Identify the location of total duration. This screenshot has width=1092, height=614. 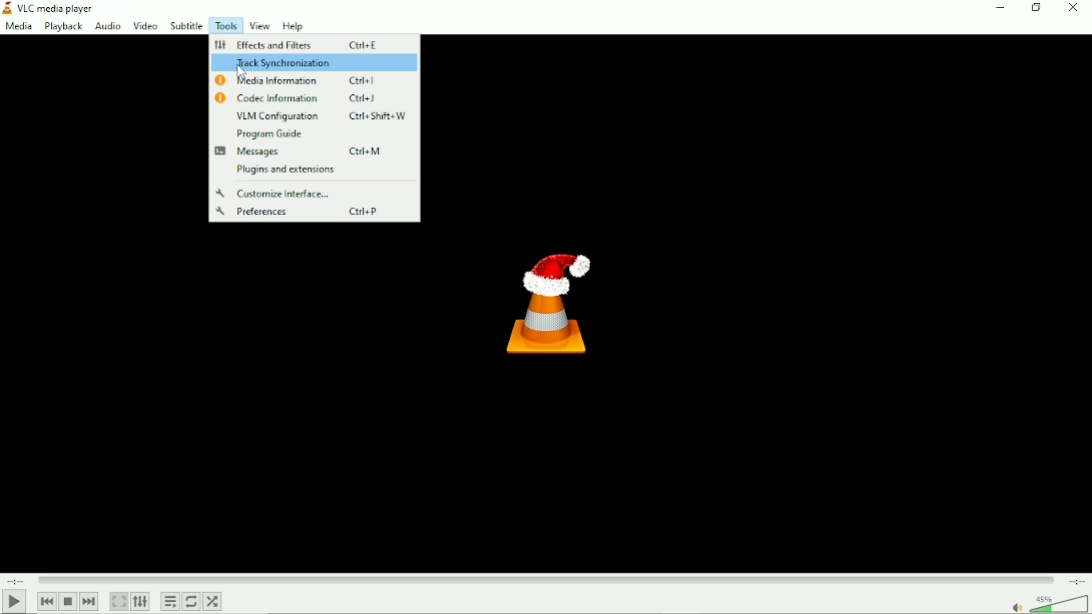
(1074, 581).